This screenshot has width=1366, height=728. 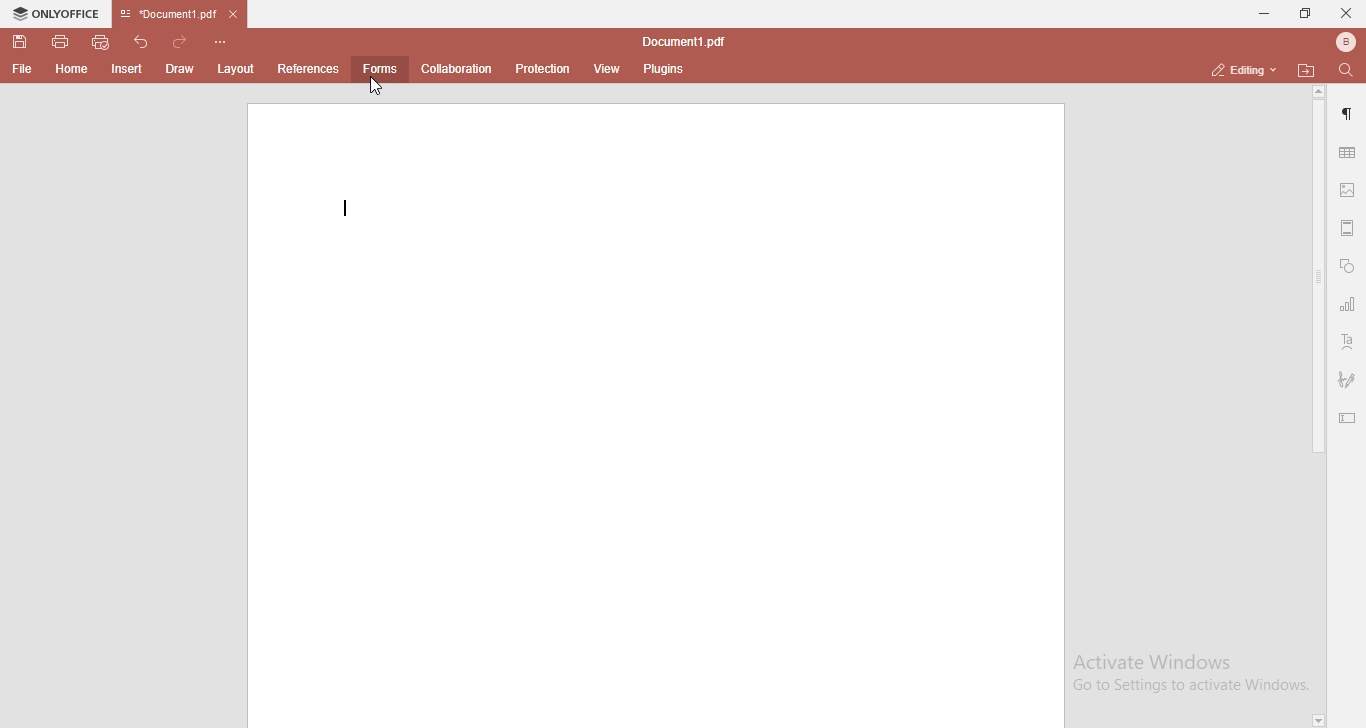 I want to click on file name, so click(x=688, y=43).